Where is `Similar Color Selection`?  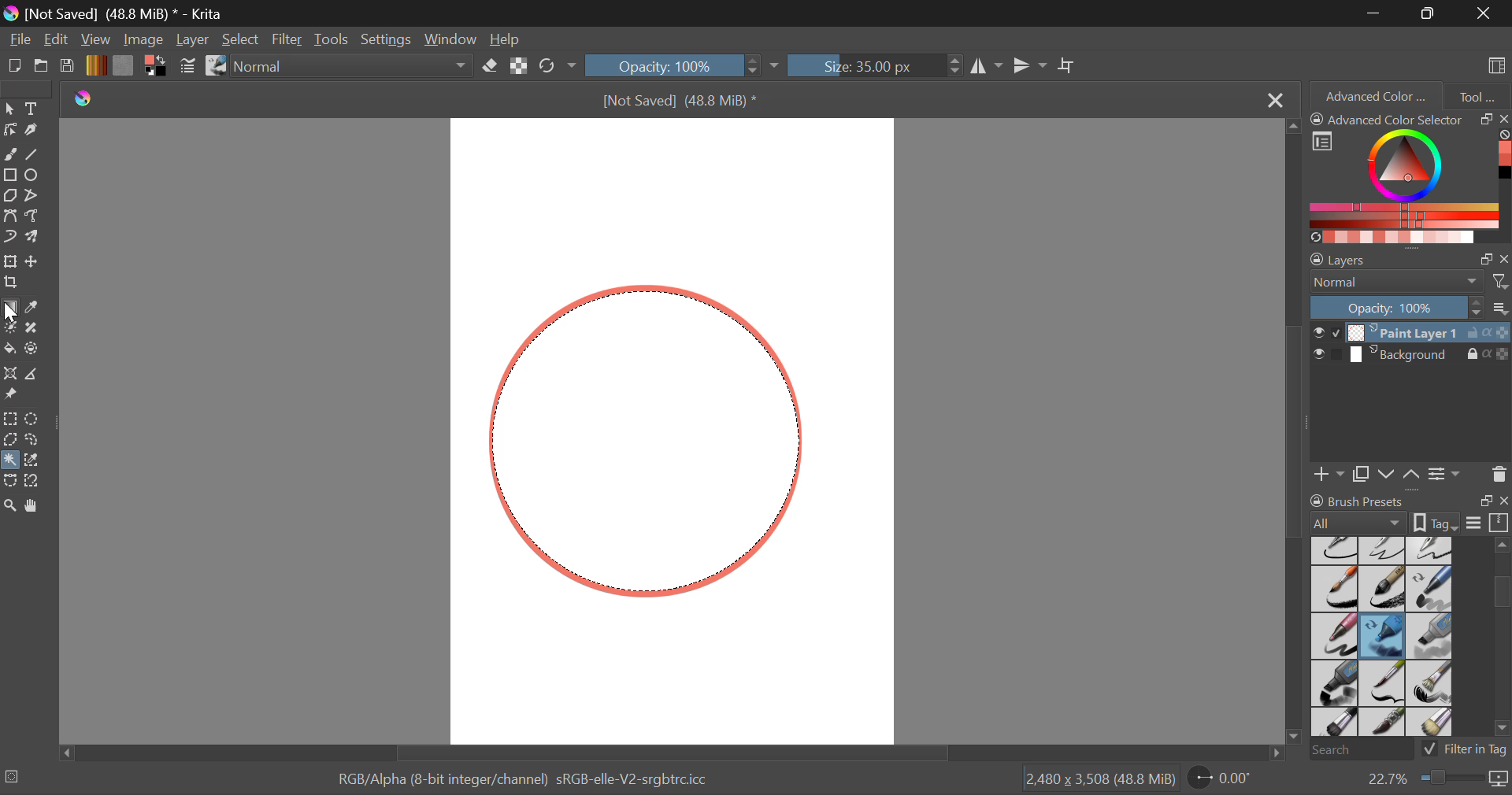
Similar Color Selection is located at coordinates (36, 461).